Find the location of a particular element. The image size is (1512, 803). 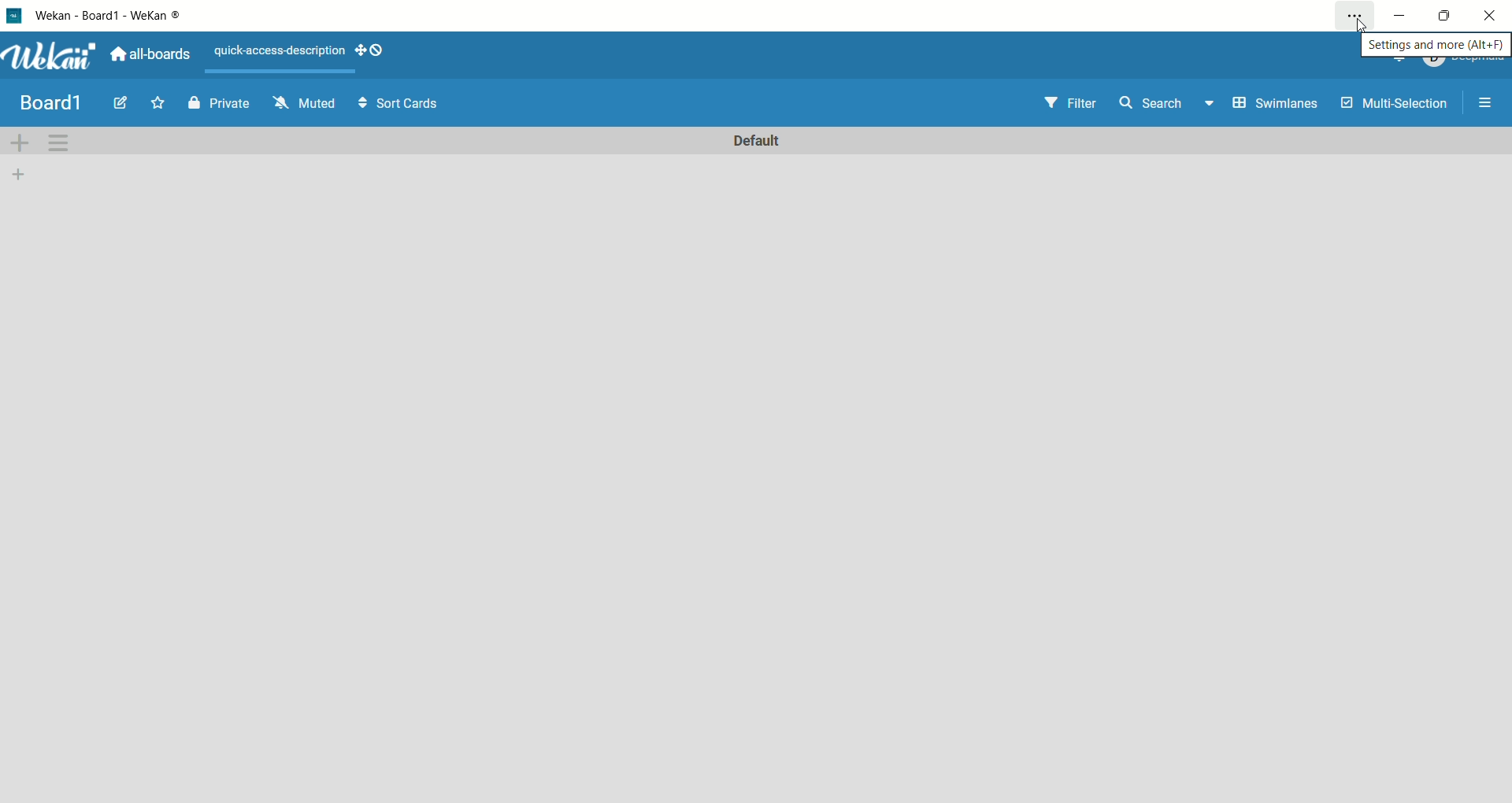

favorite is located at coordinates (160, 102).